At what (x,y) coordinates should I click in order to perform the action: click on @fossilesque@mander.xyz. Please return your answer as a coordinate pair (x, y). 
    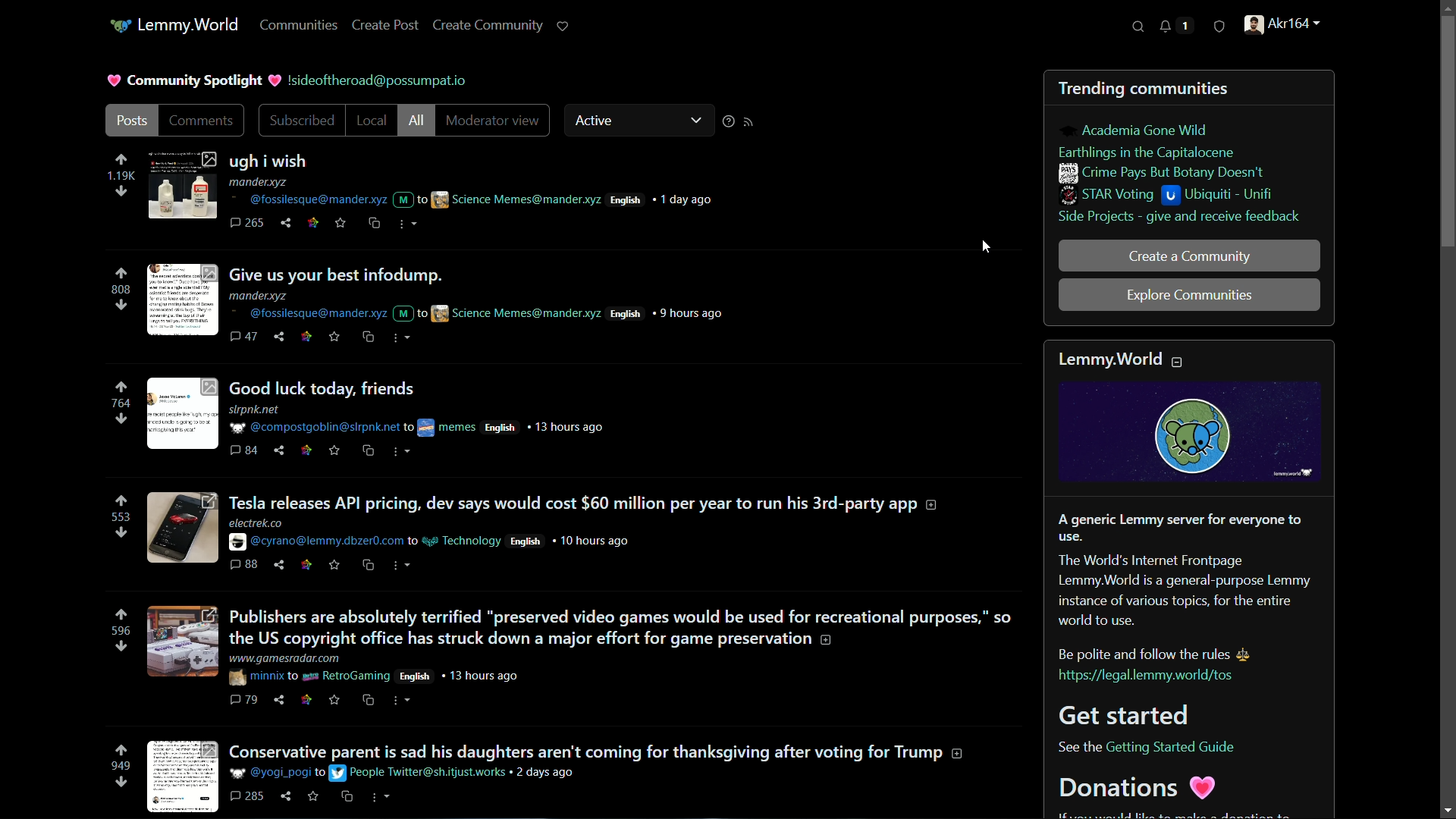
    Looking at the image, I should click on (306, 314).